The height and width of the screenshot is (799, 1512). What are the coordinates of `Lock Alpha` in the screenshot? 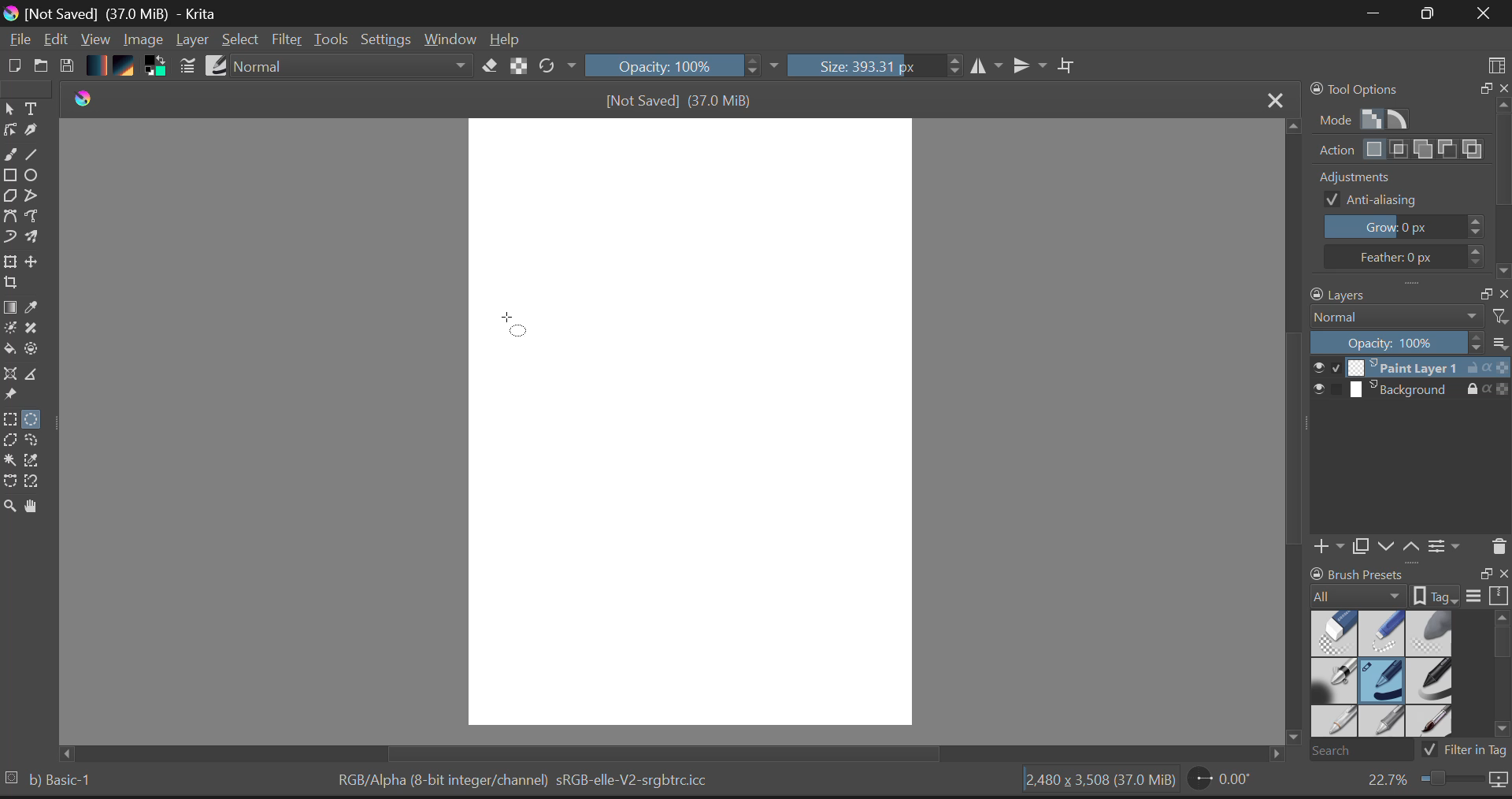 It's located at (516, 67).